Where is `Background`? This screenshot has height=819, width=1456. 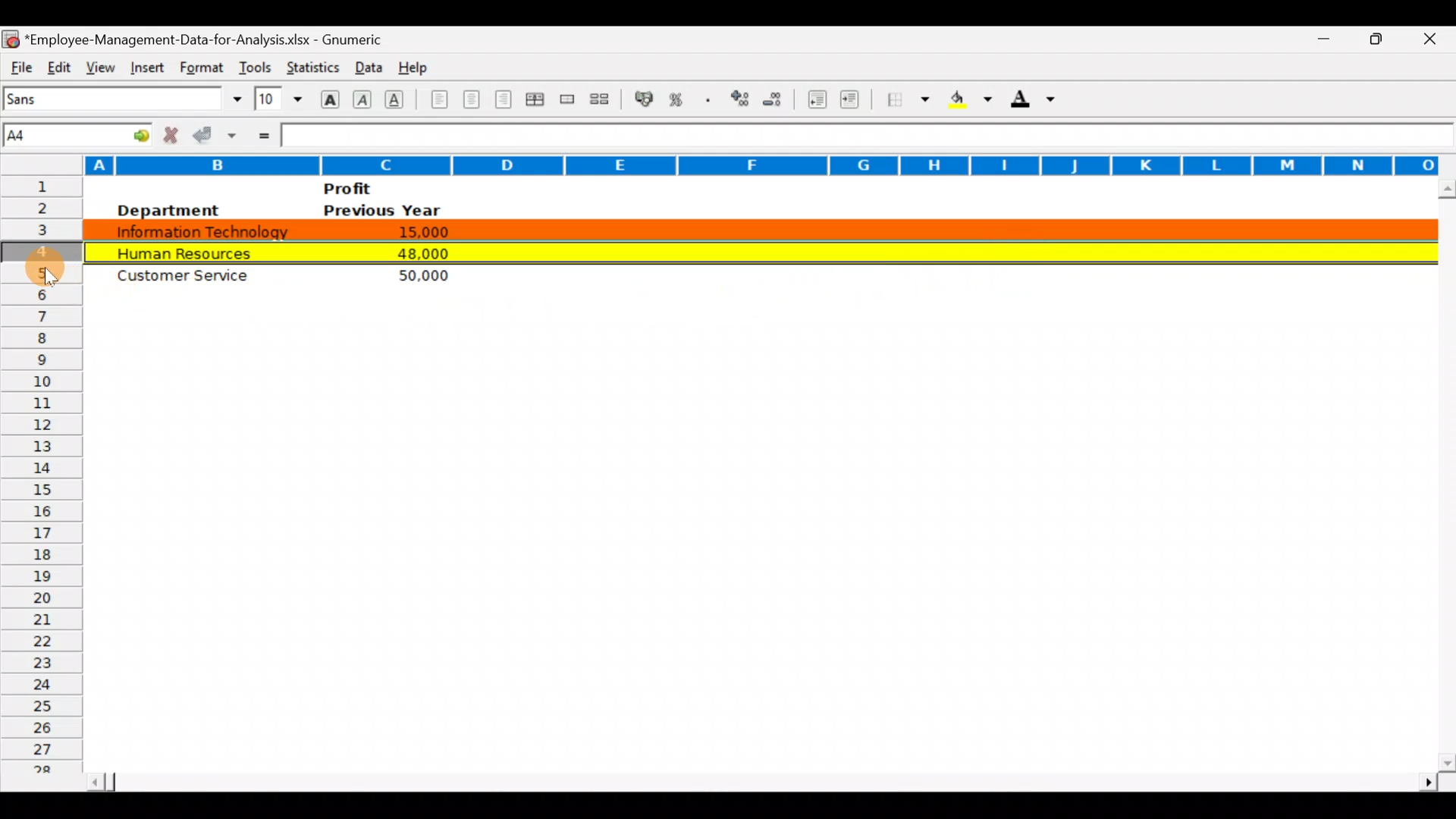
Background is located at coordinates (969, 104).